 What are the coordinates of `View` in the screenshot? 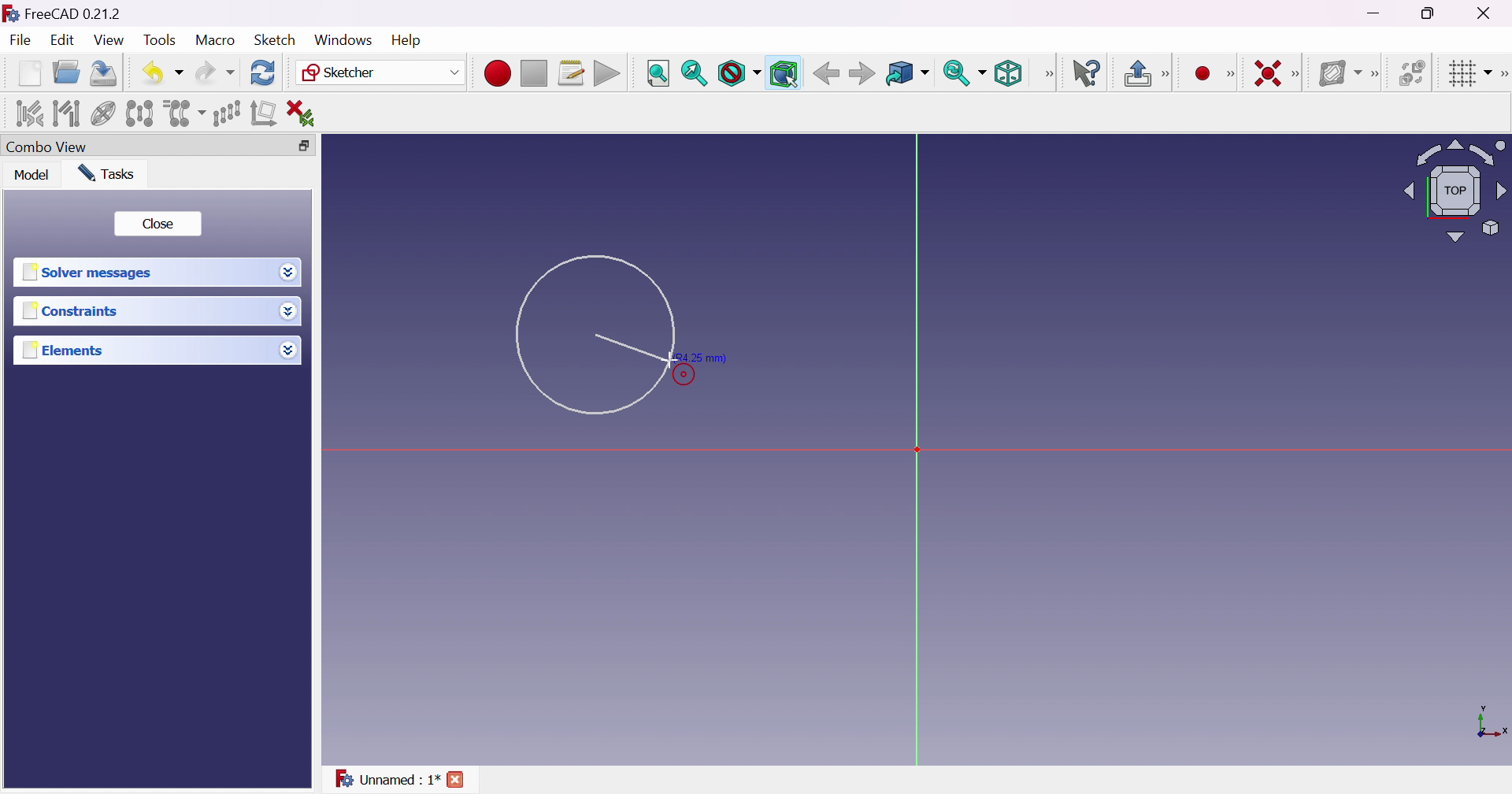 It's located at (108, 39).